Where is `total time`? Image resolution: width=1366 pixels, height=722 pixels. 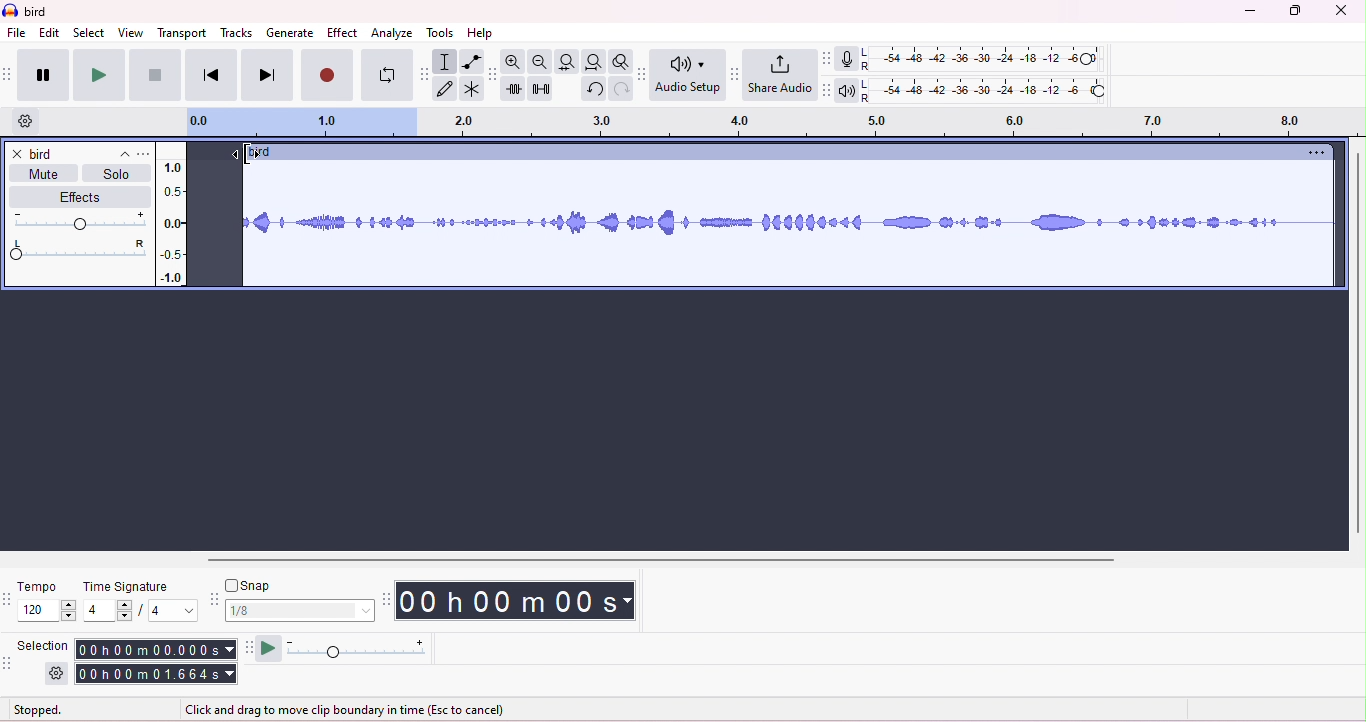
total time is located at coordinates (156, 675).